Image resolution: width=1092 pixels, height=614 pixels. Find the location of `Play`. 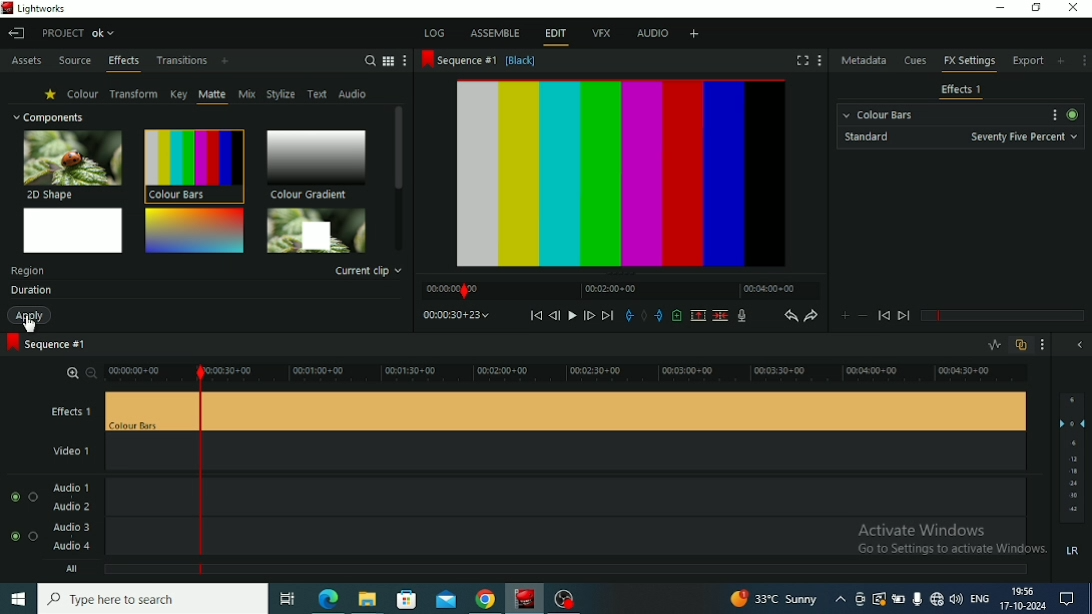

Play is located at coordinates (572, 316).